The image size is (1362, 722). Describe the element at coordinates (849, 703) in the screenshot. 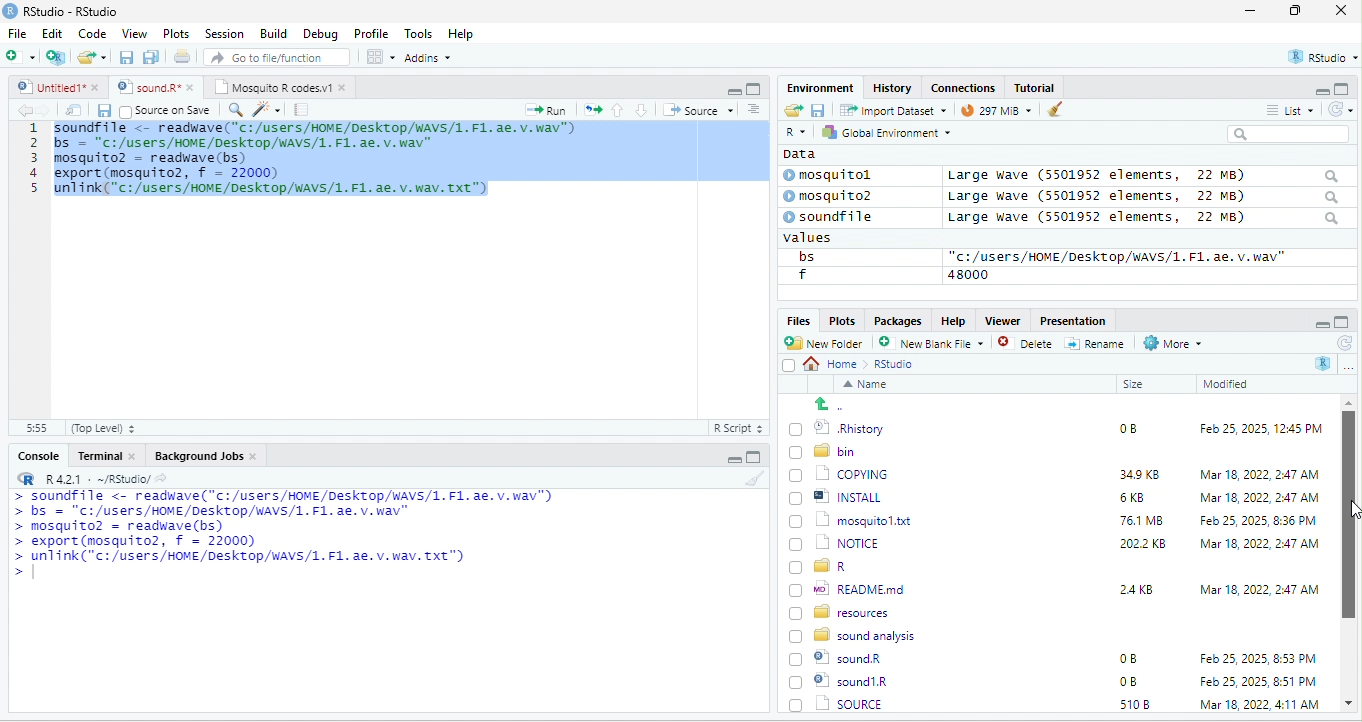

I see `Uninstall.exe` at that location.